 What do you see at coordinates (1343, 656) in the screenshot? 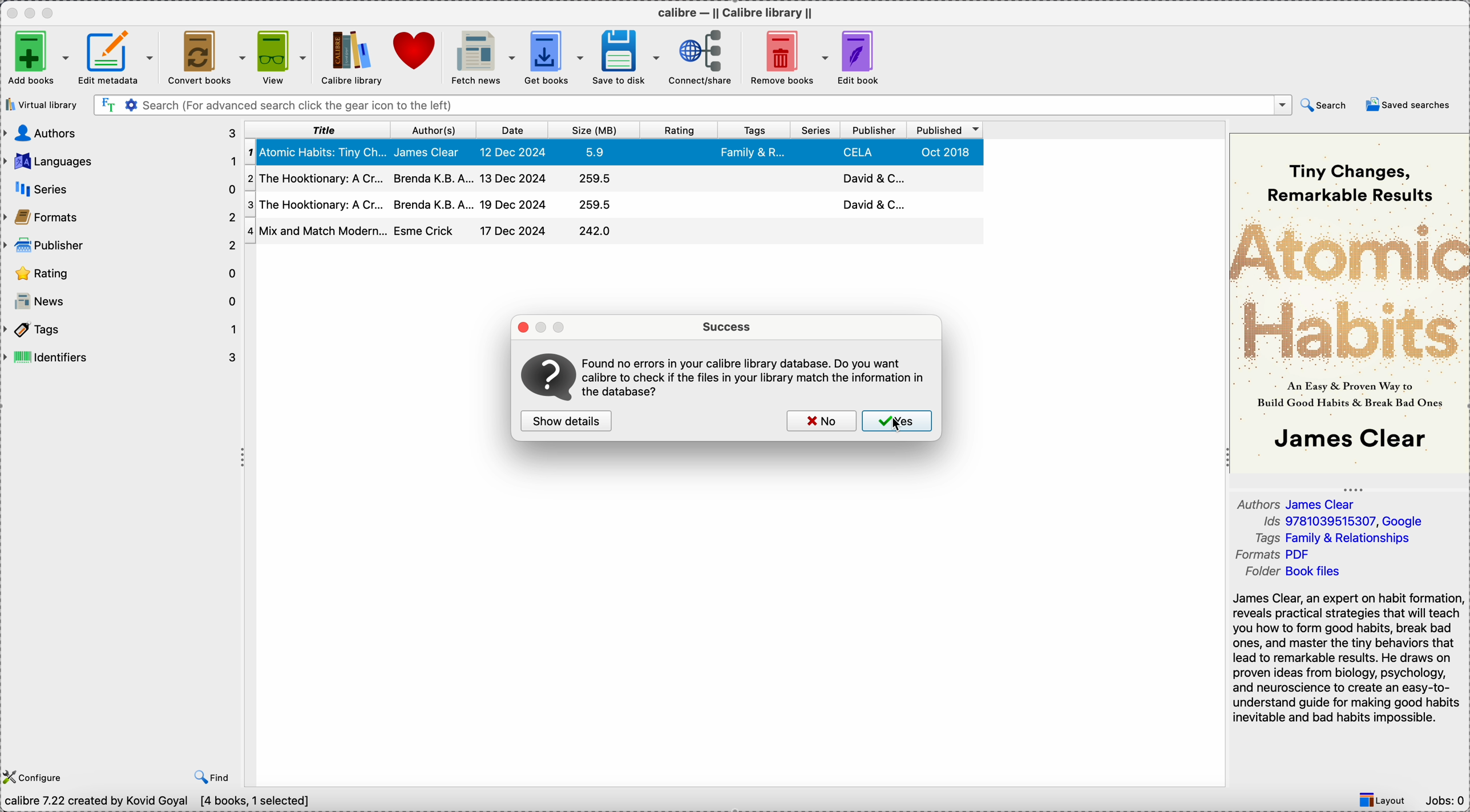
I see `James Clear, an expert on habit format
reveals practical strategies that will tea
you how to form good habits, break ba
ones, and master the tiny behaviors th:
lead to remarkable results. He draws ol
proven ideas from biology, psychology,
and neuroscience to create an easy-to:
understand guide for making good hab
inevitable and bad habits impossible.` at bounding box center [1343, 656].